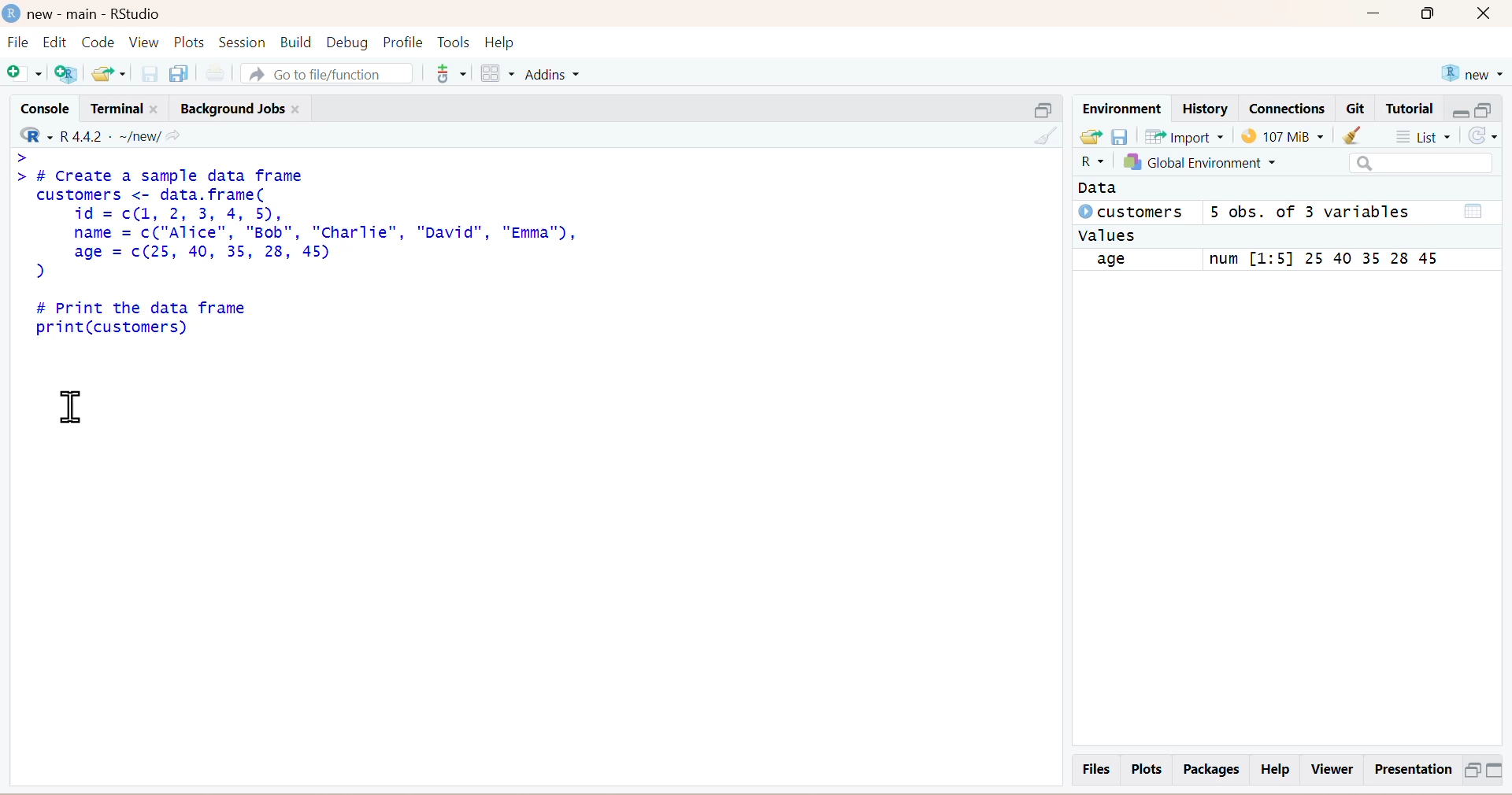 This screenshot has width=1512, height=795. Describe the element at coordinates (1204, 108) in the screenshot. I see `History` at that location.